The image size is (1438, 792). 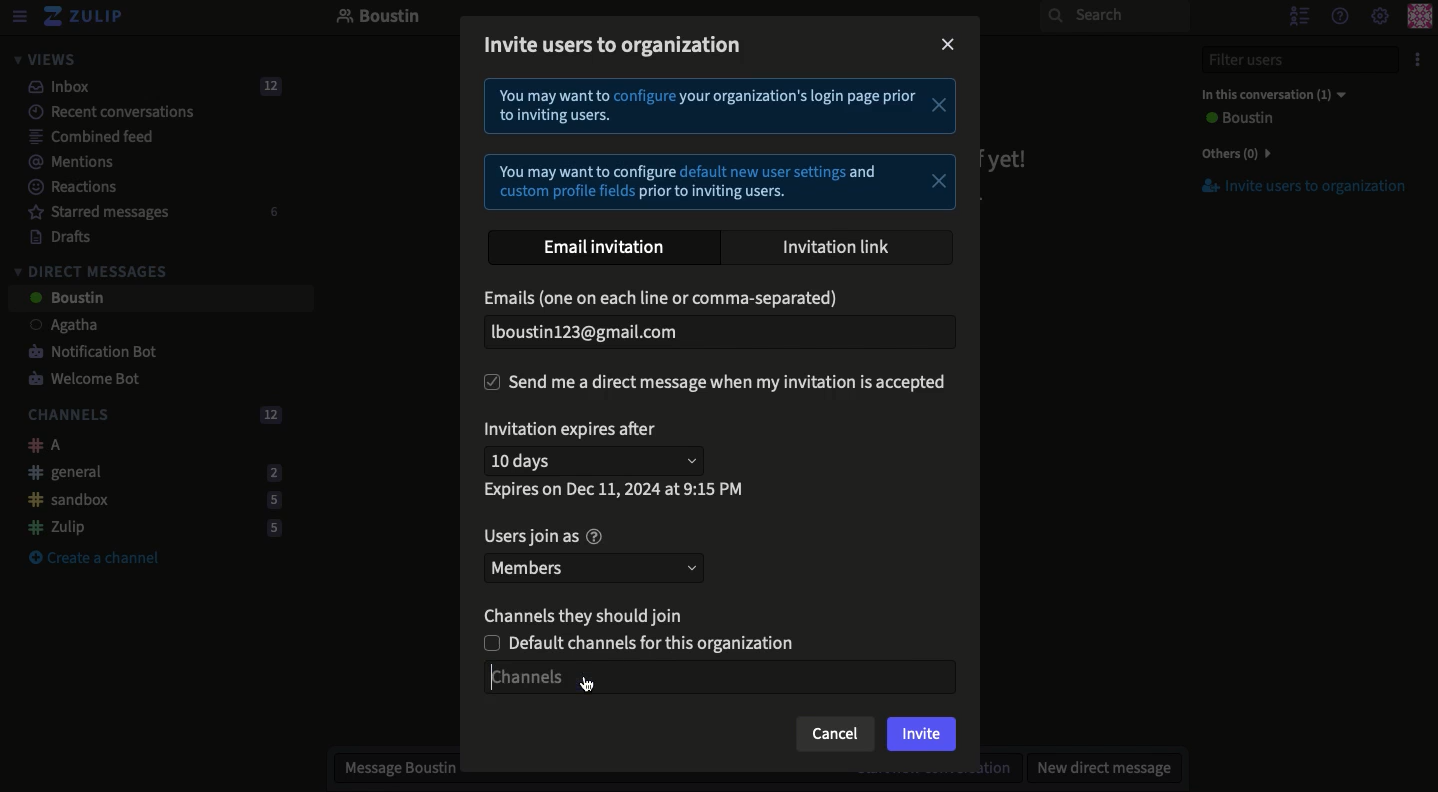 What do you see at coordinates (379, 18) in the screenshot?
I see `Boustin` at bounding box center [379, 18].